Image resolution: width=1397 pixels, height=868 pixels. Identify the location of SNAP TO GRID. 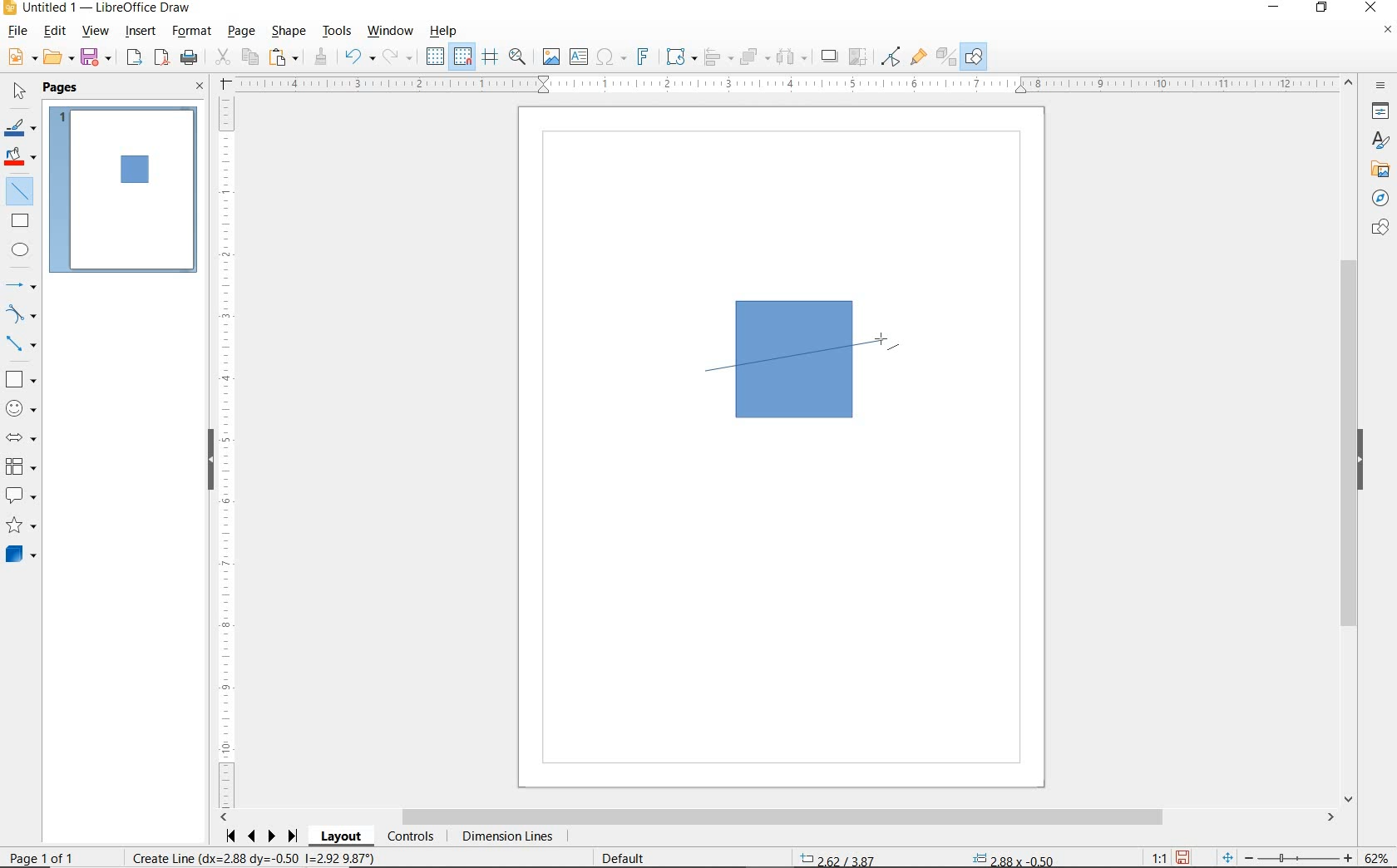
(463, 57).